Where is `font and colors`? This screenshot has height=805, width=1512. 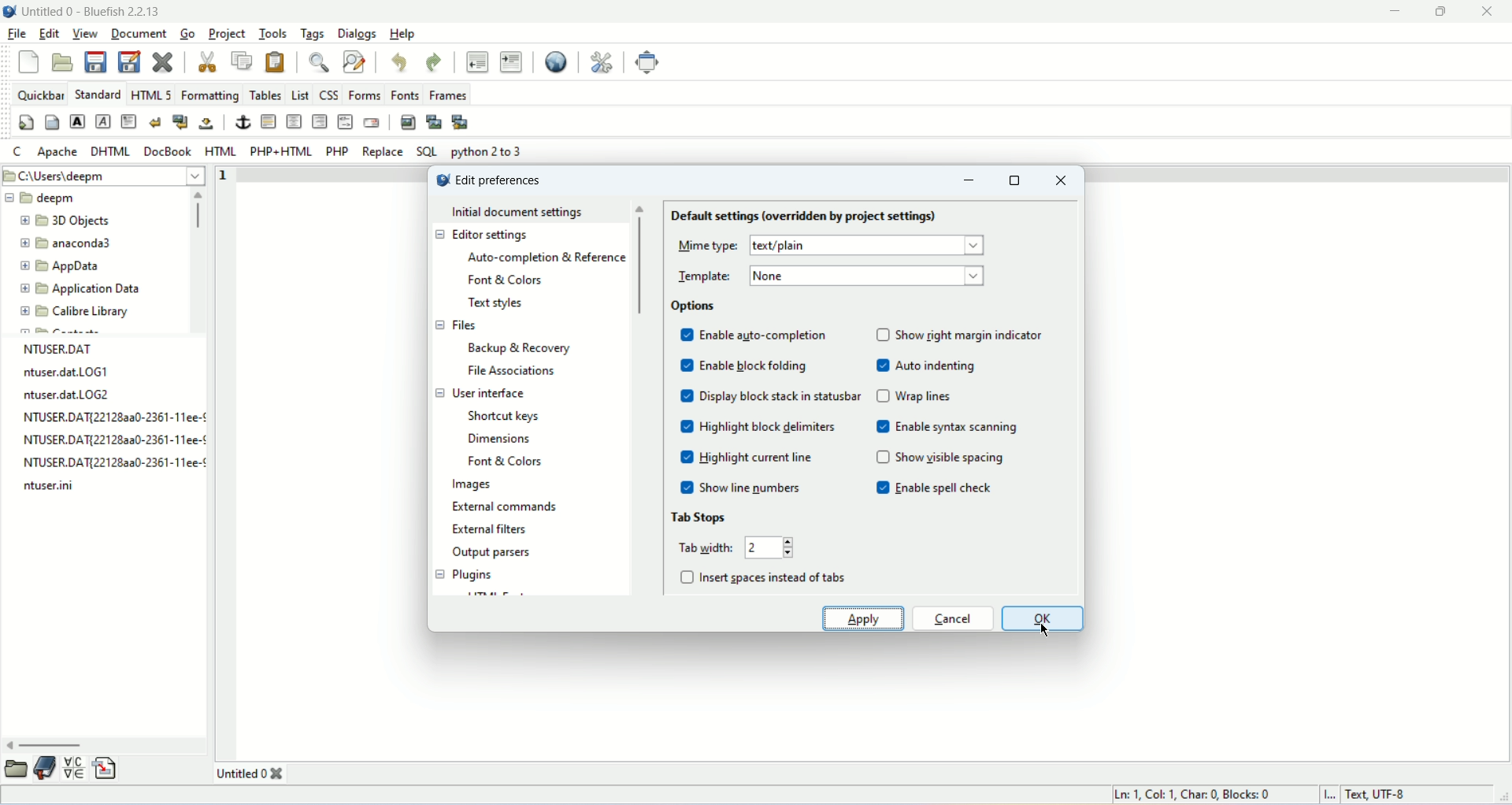
font and colors is located at coordinates (506, 463).